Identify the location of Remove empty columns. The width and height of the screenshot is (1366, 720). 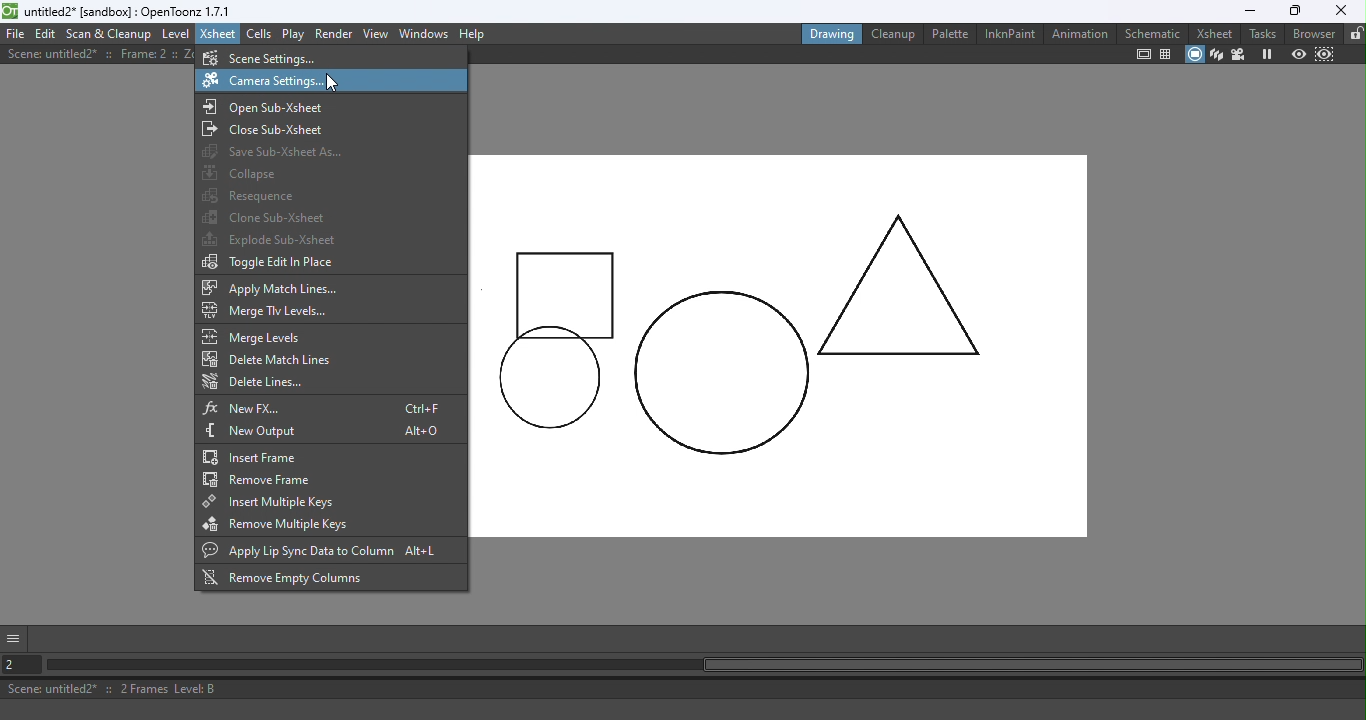
(288, 579).